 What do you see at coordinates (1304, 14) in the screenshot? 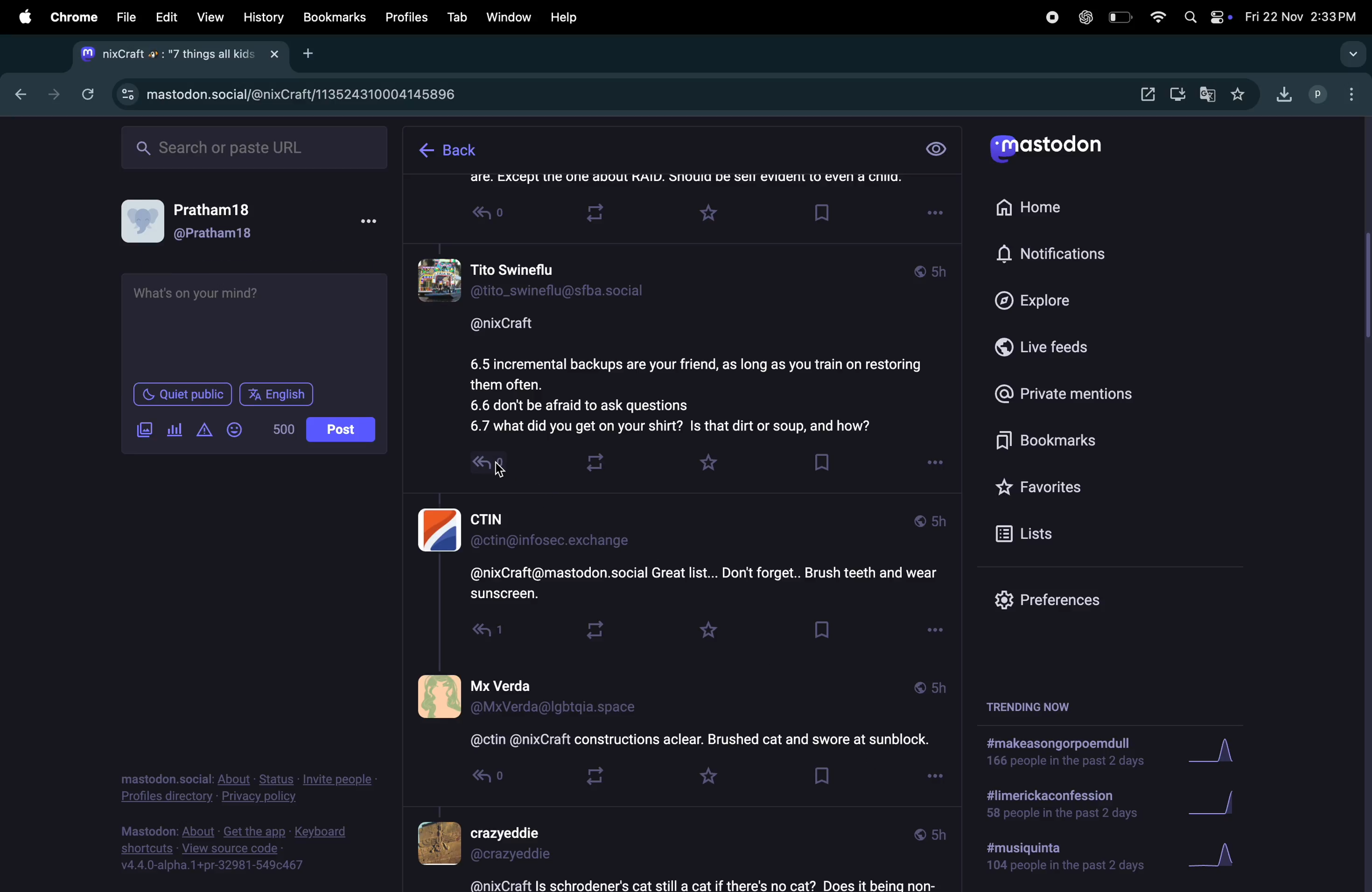
I see `Fri 22 Nov 2:33 PM` at bounding box center [1304, 14].